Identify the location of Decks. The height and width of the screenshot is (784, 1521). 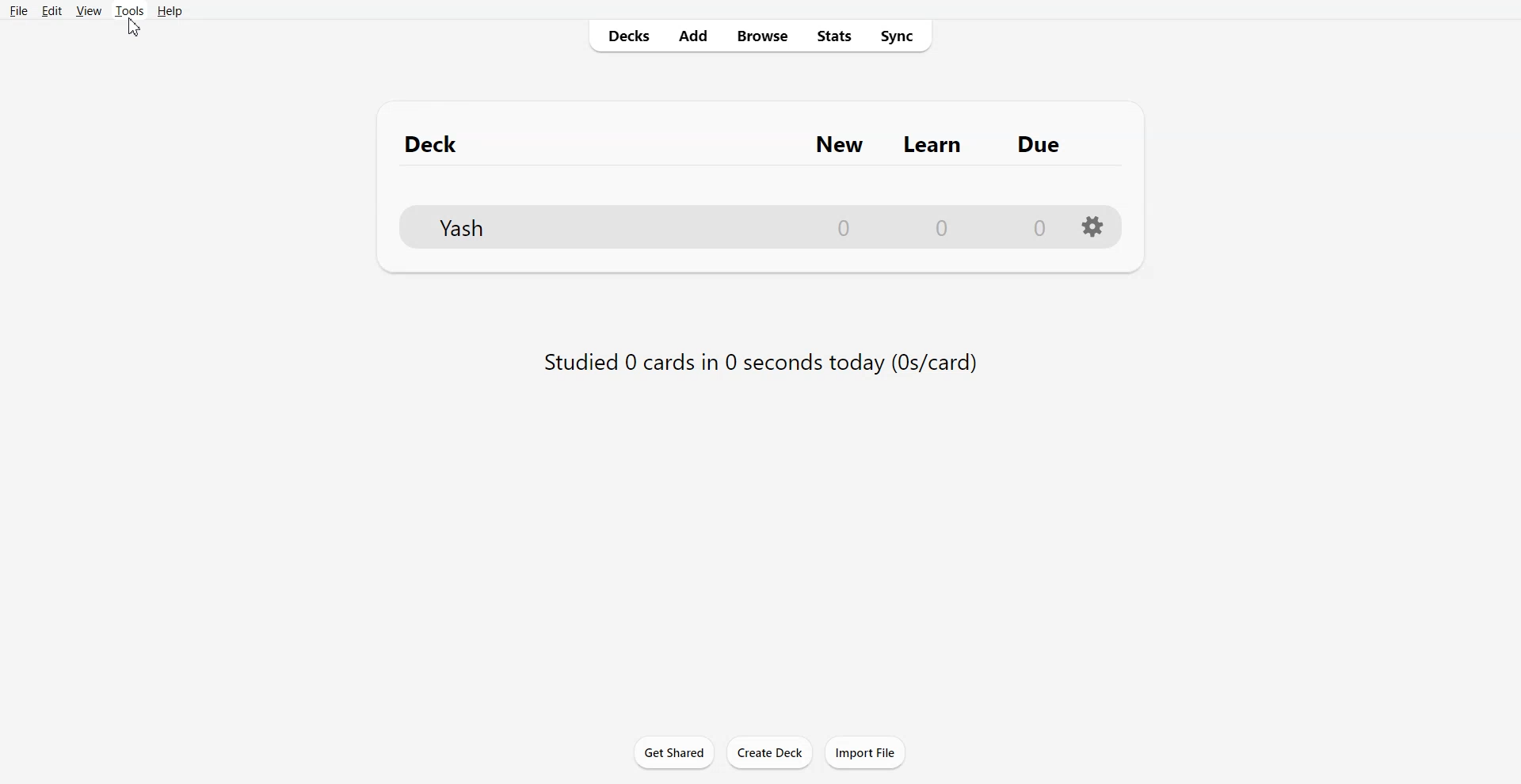
(623, 36).